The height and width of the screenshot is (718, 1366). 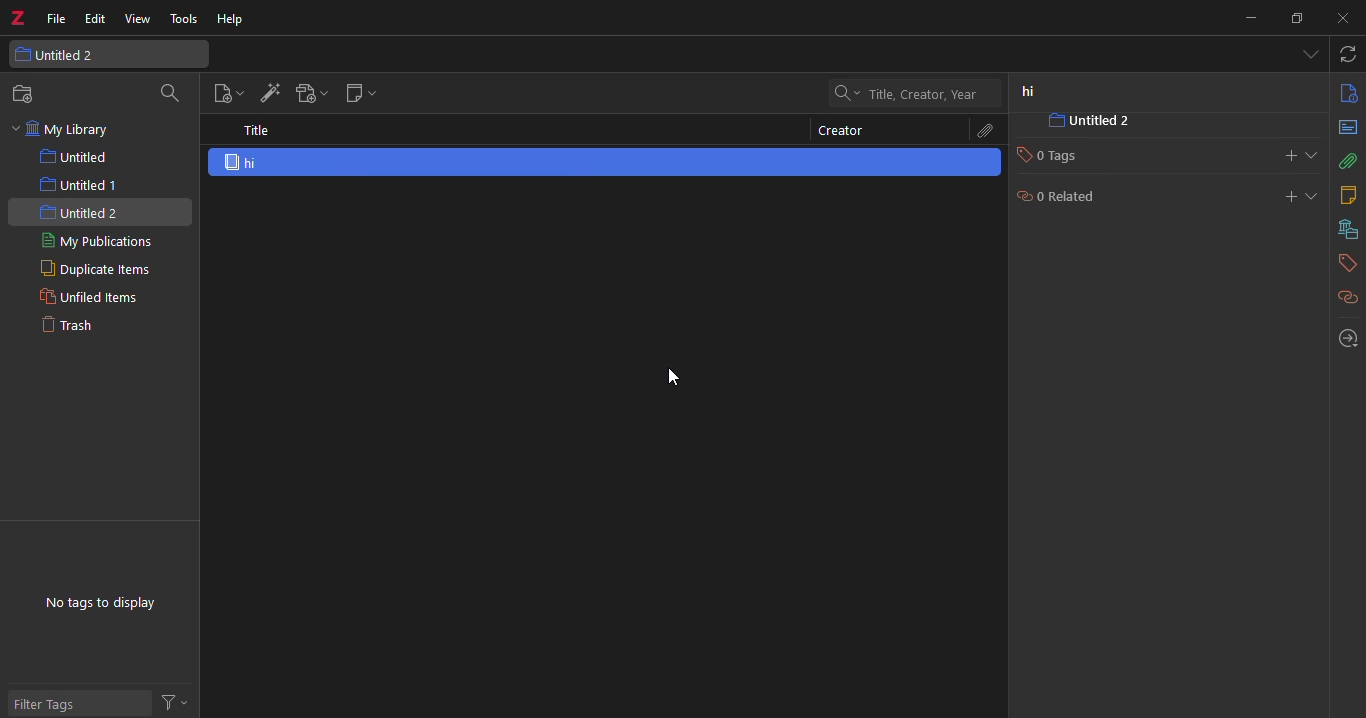 What do you see at coordinates (250, 162) in the screenshot?
I see `hi` at bounding box center [250, 162].